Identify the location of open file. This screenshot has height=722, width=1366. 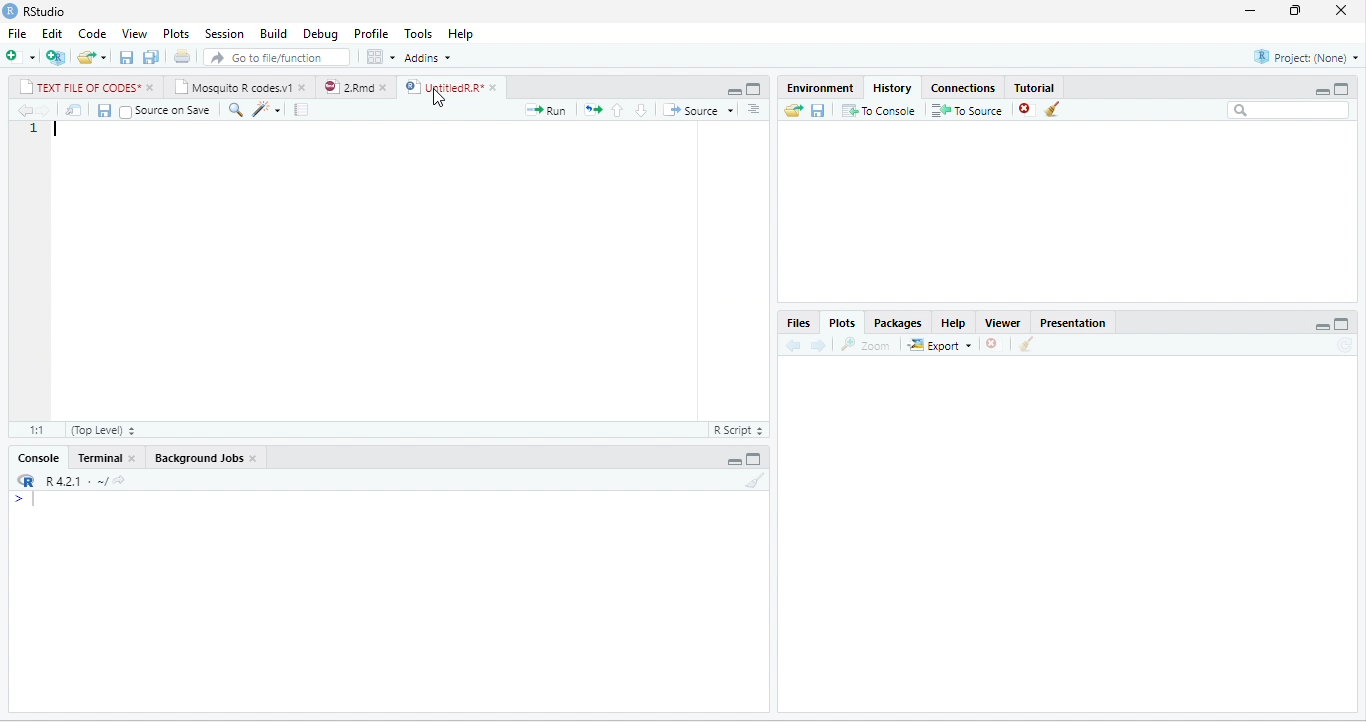
(92, 57).